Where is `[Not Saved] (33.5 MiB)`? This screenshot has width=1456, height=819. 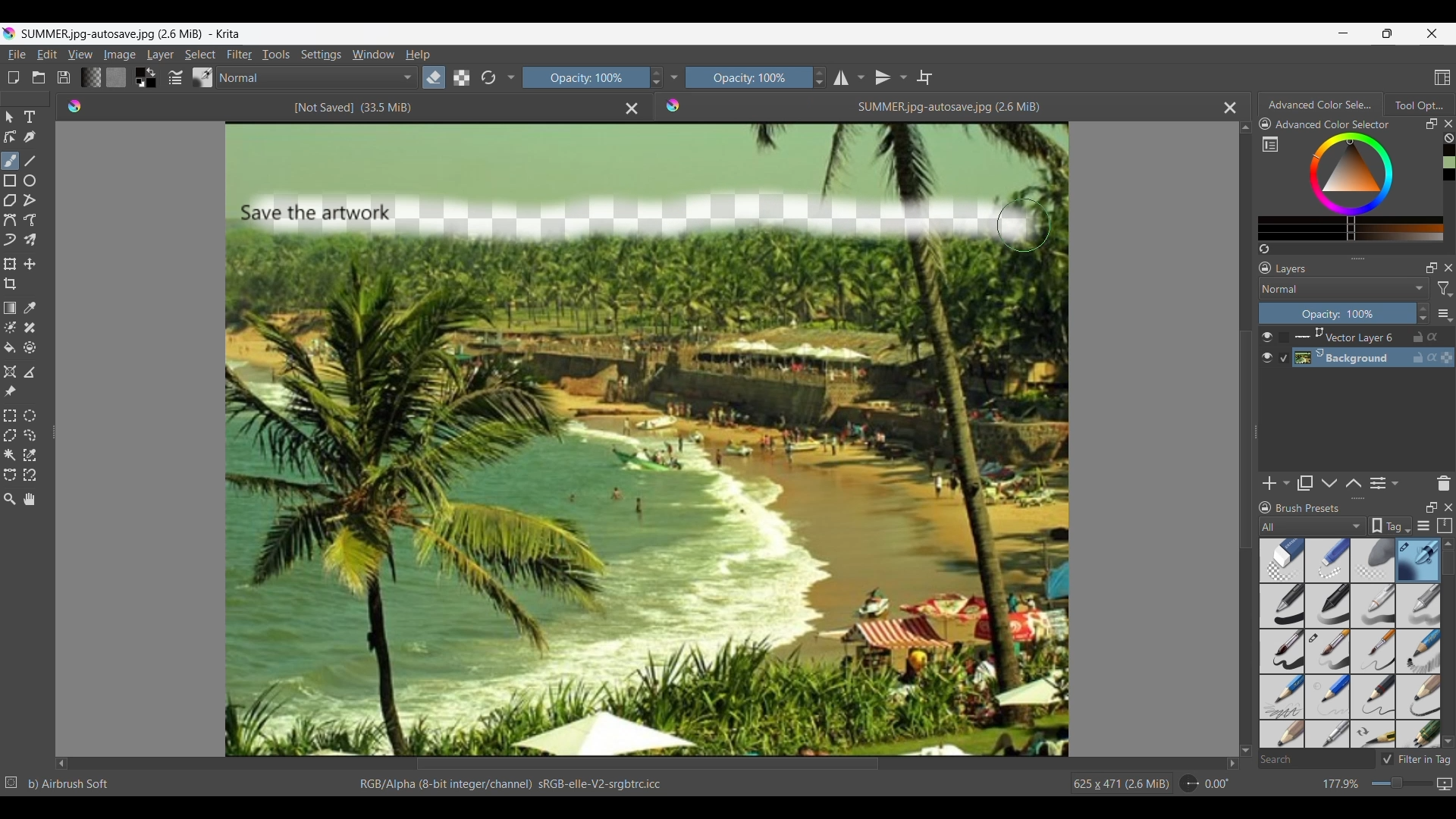
[Not Saved] (33.5 MiB) is located at coordinates (352, 108).